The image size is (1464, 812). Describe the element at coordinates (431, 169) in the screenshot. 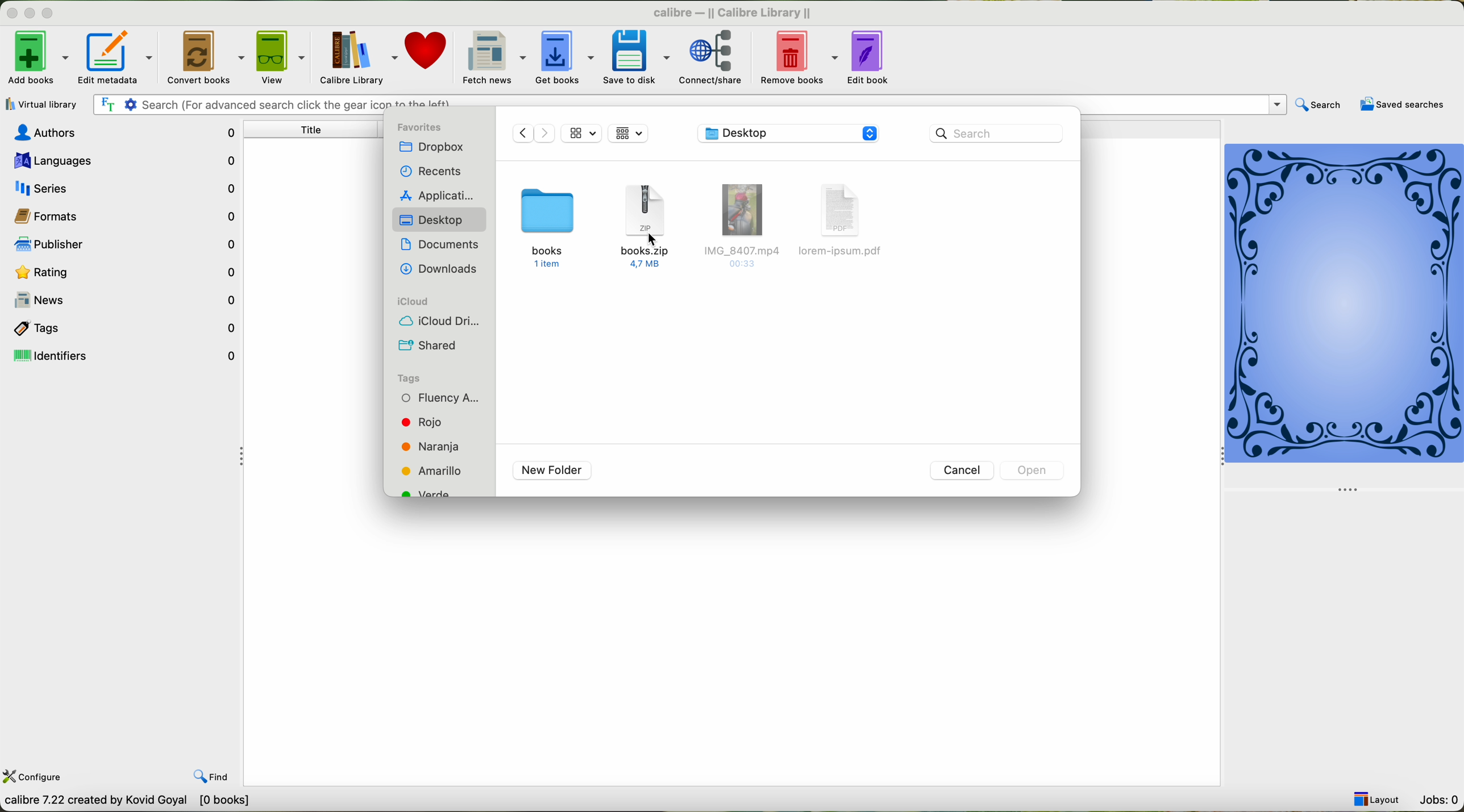

I see `recents` at that location.